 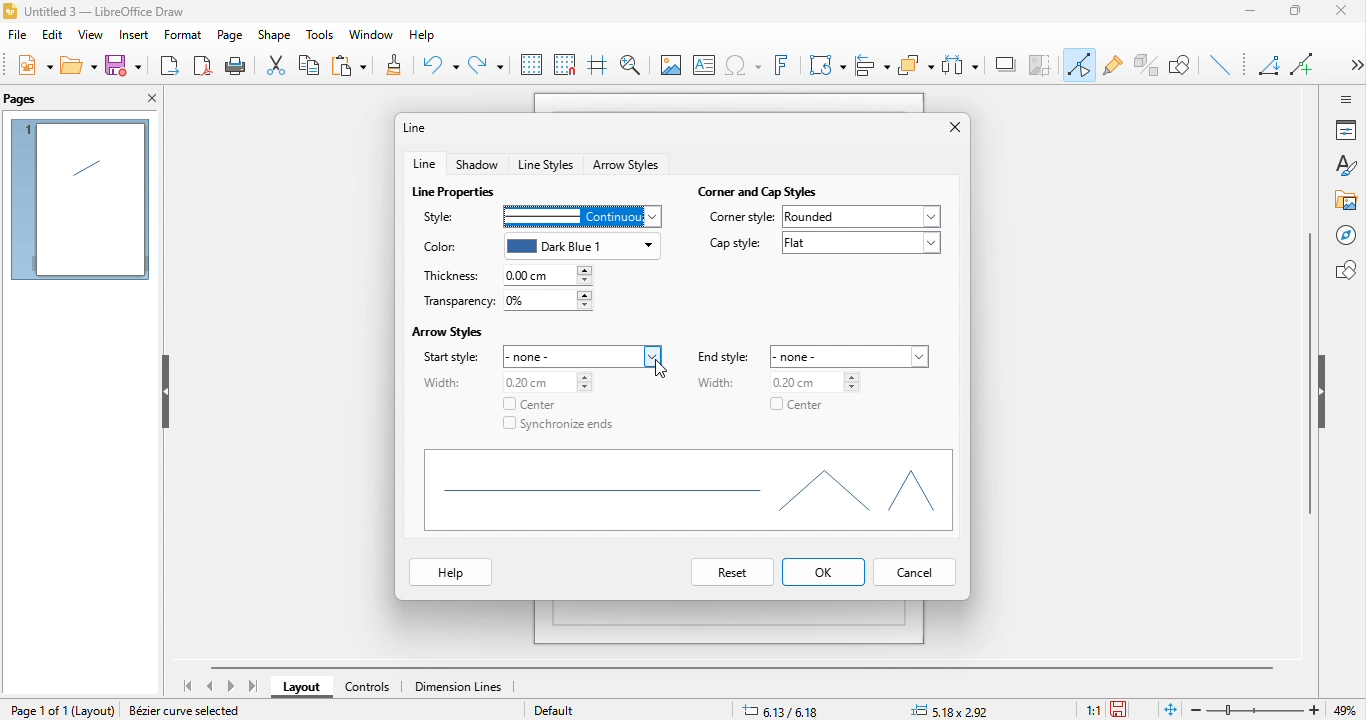 What do you see at coordinates (628, 166) in the screenshot?
I see `arrow style` at bounding box center [628, 166].